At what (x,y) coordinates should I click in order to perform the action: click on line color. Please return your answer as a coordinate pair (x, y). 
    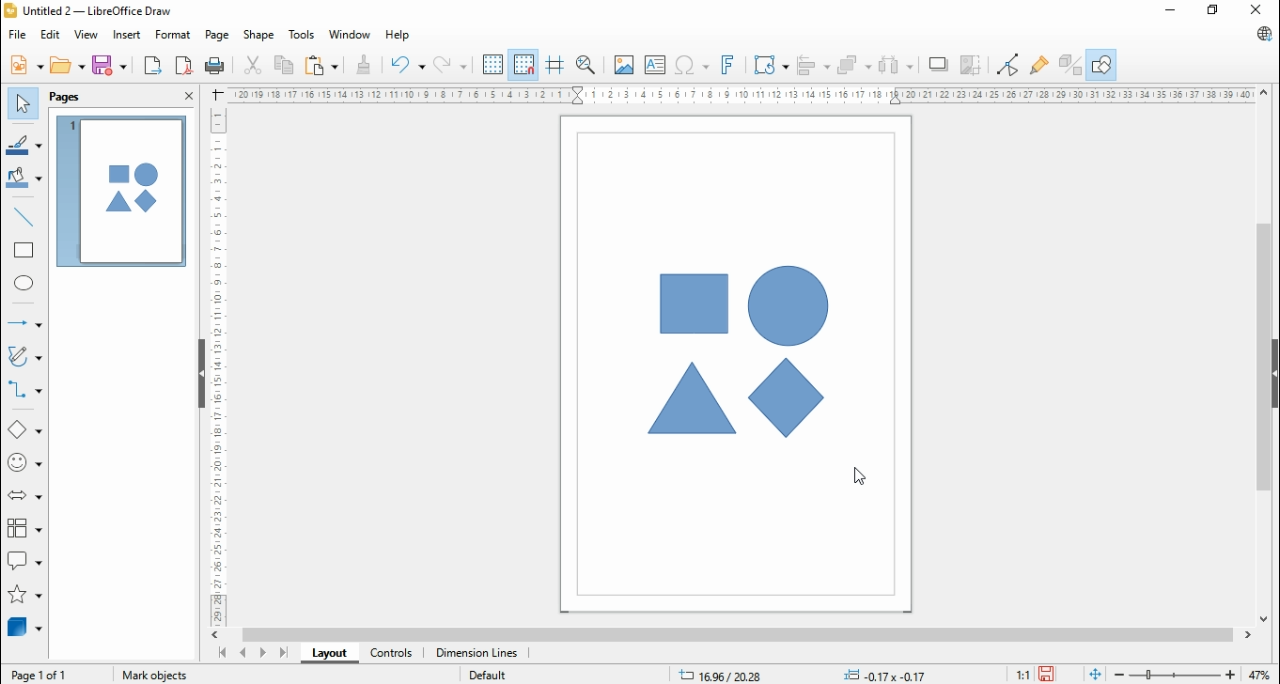
    Looking at the image, I should click on (24, 143).